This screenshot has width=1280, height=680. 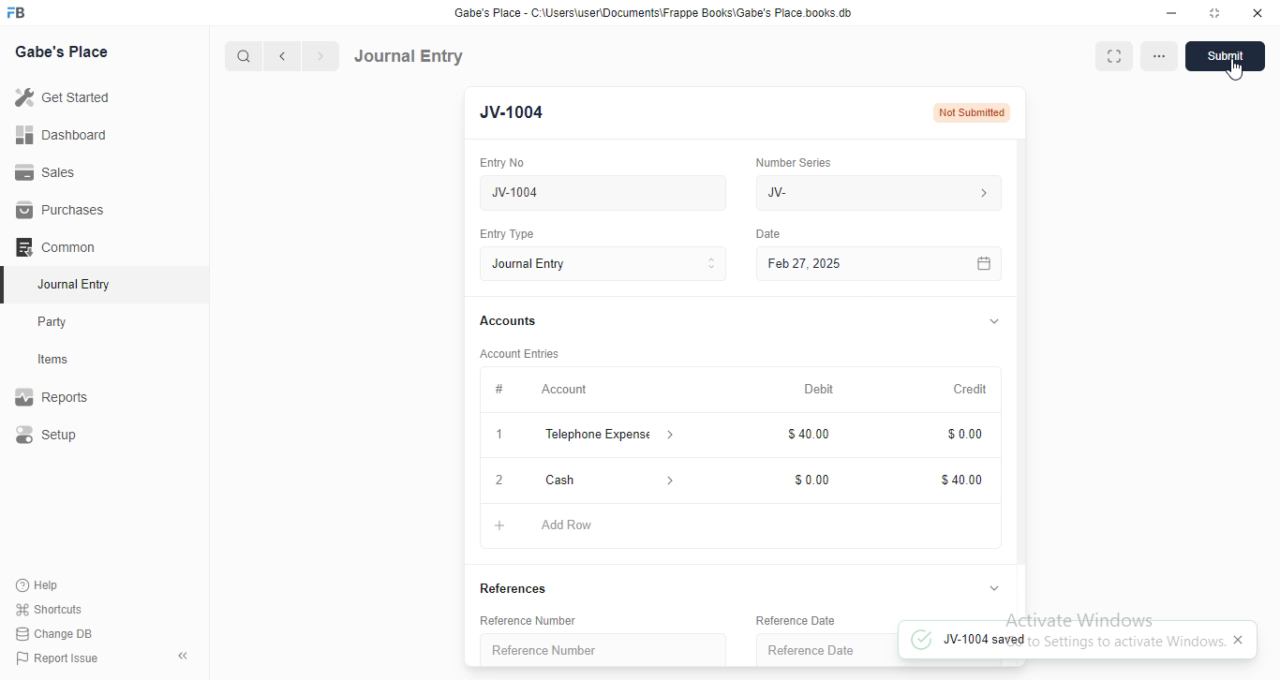 I want to click on ‘Number Series, so click(x=794, y=162).